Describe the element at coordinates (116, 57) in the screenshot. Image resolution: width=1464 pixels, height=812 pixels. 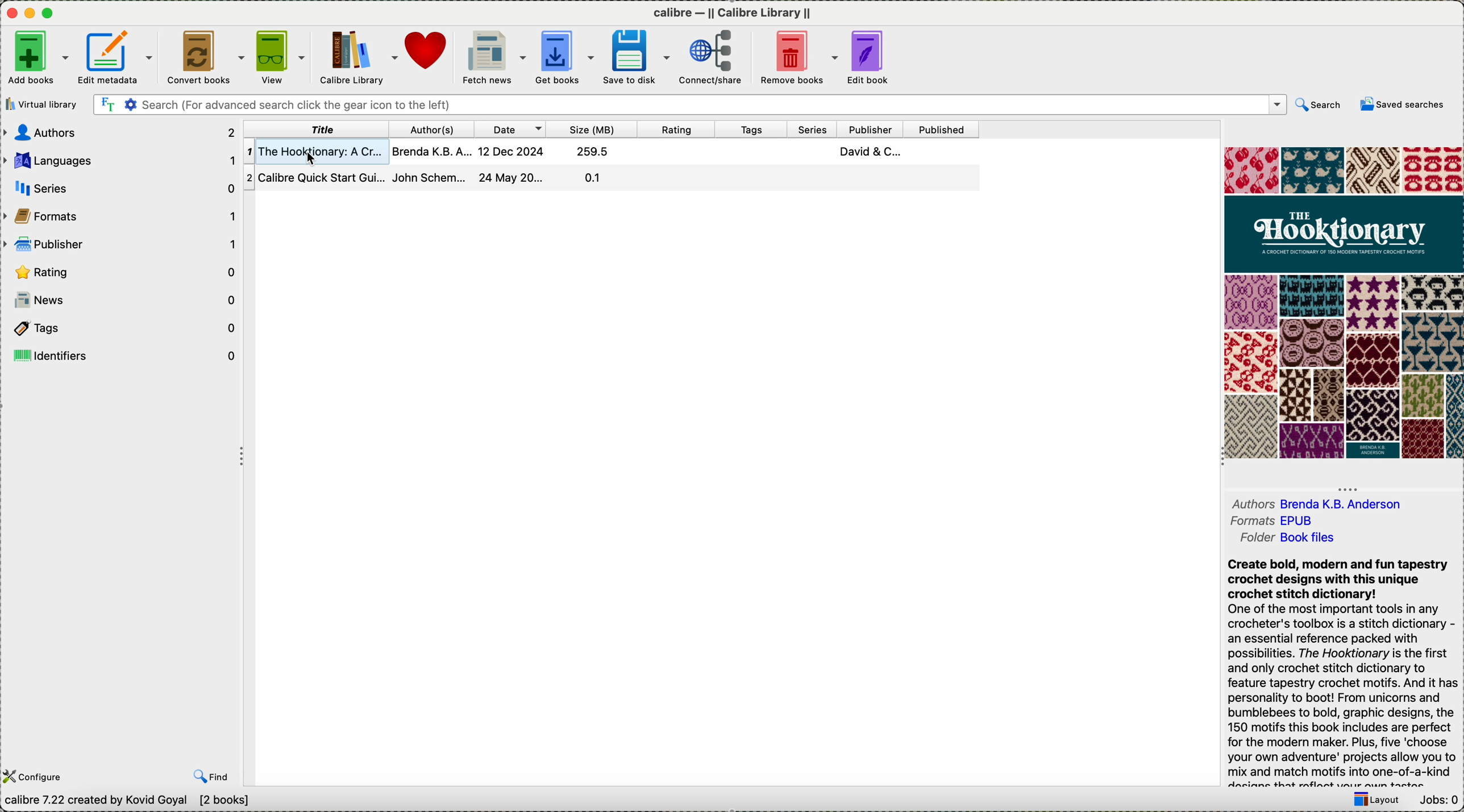
I see `edit metadata` at that location.